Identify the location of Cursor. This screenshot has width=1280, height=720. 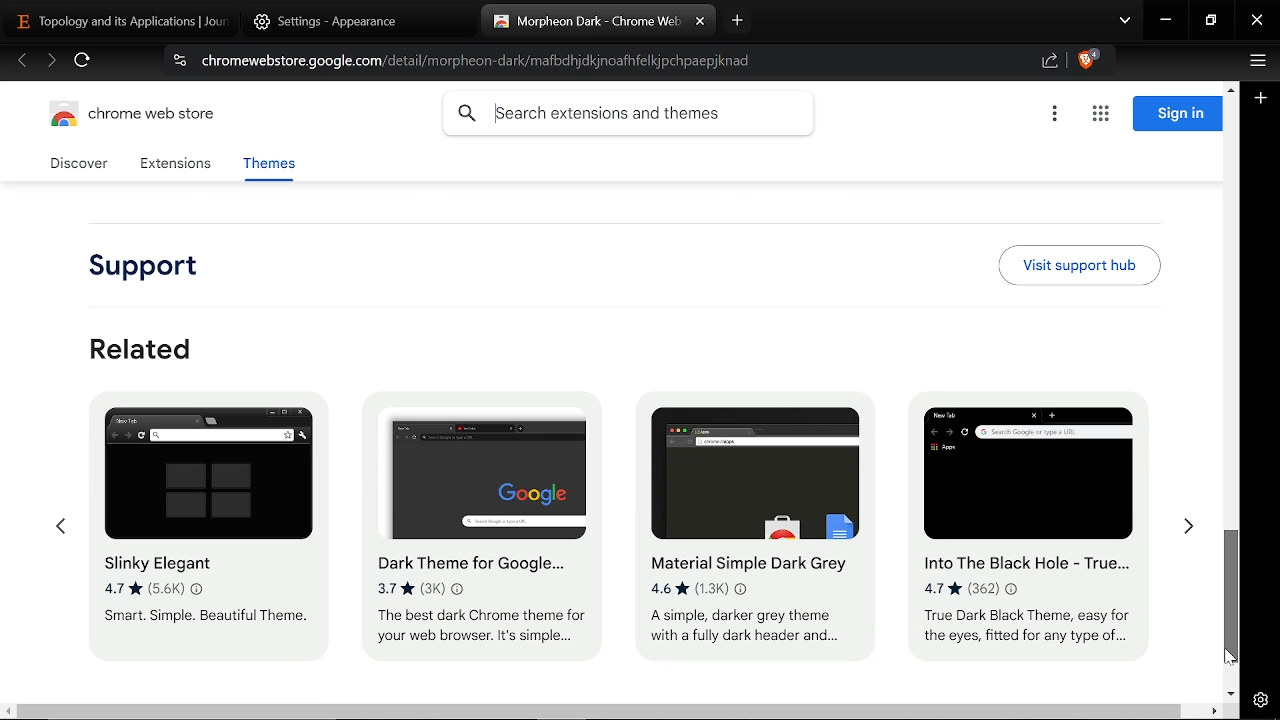
(1226, 655).